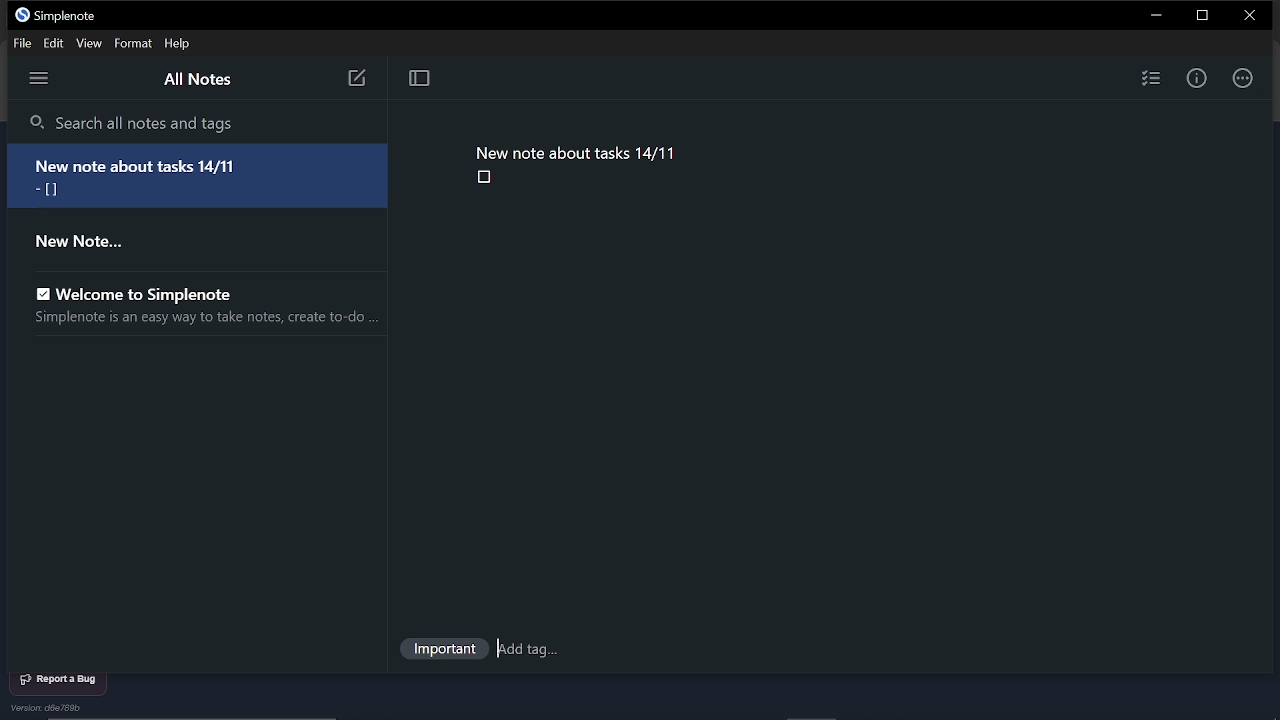 Image resolution: width=1280 pixels, height=720 pixels. What do you see at coordinates (91, 44) in the screenshot?
I see `View` at bounding box center [91, 44].